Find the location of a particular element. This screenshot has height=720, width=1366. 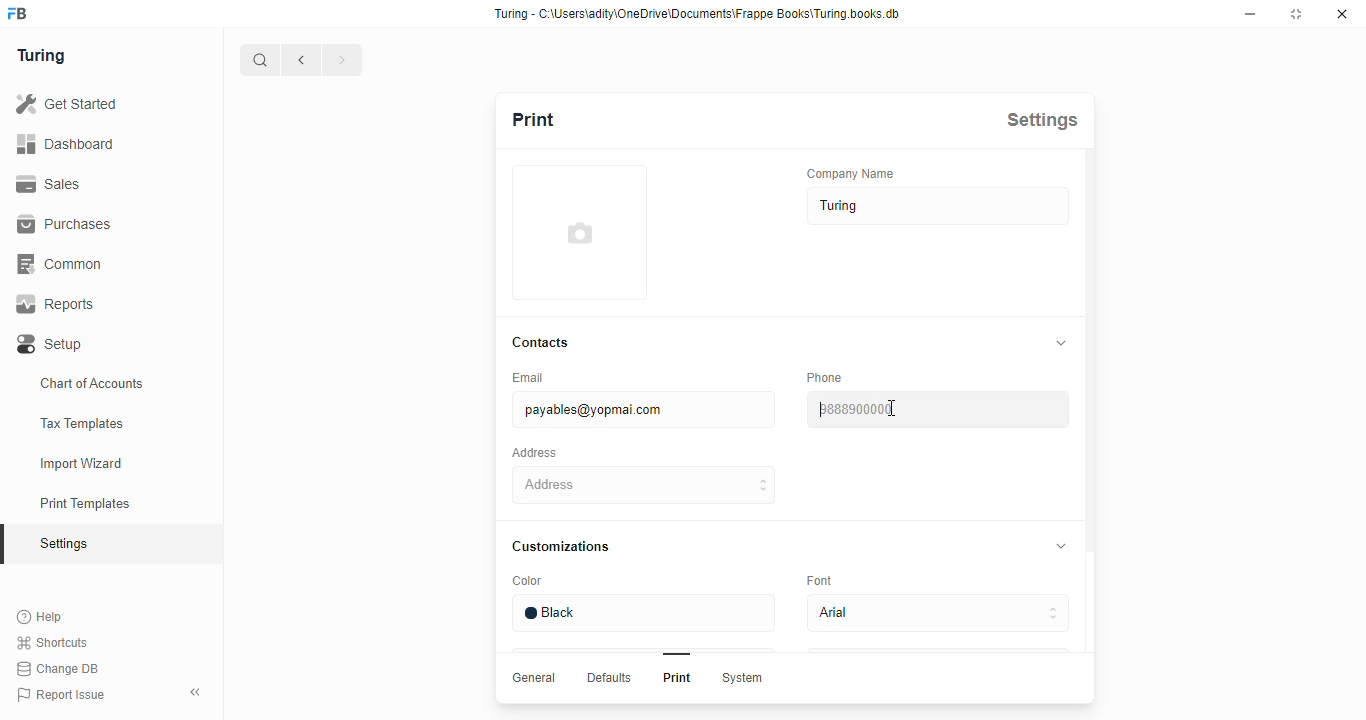

9888900000 is located at coordinates (941, 408).